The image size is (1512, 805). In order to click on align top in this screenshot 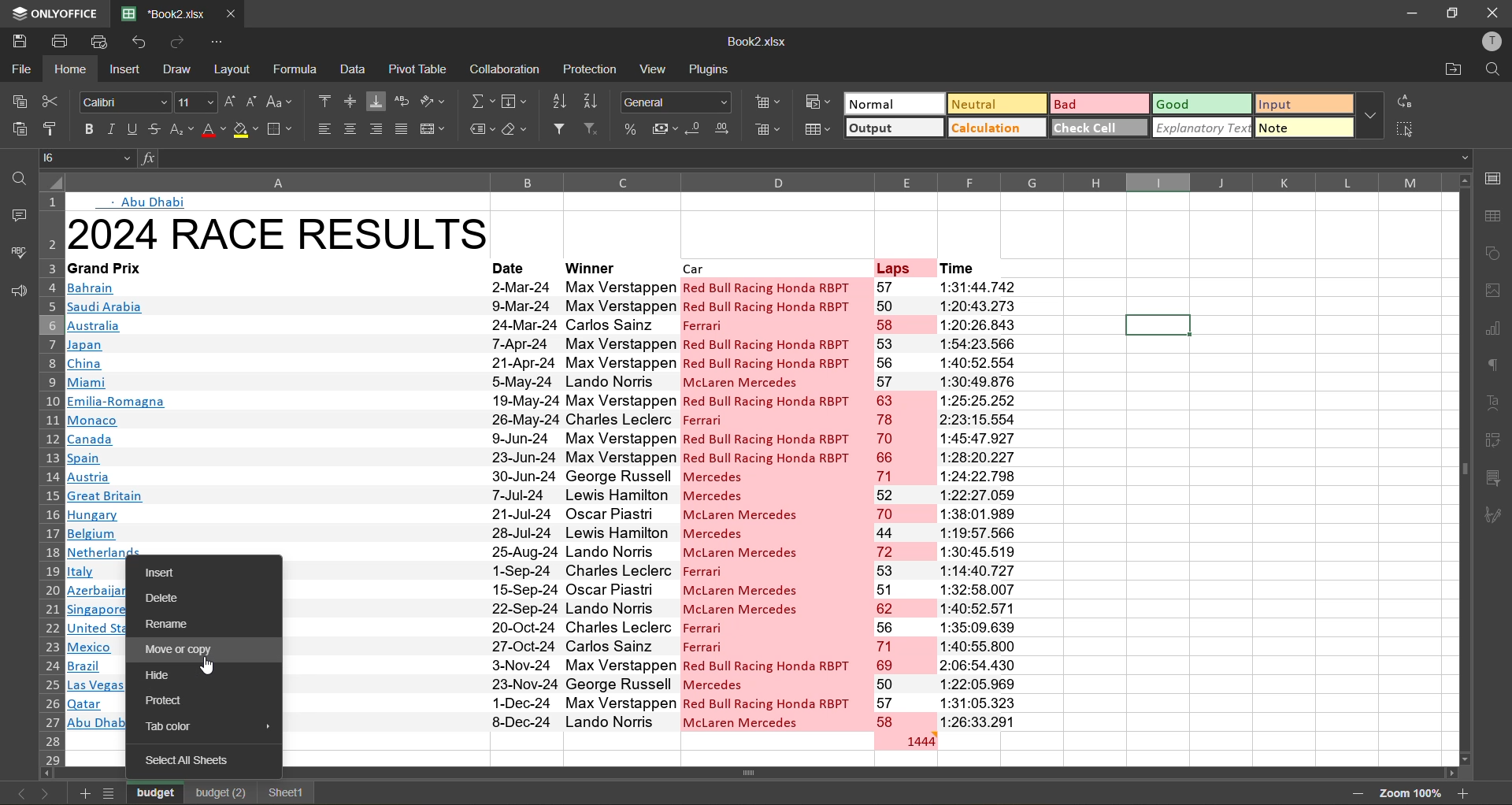, I will do `click(324, 99)`.